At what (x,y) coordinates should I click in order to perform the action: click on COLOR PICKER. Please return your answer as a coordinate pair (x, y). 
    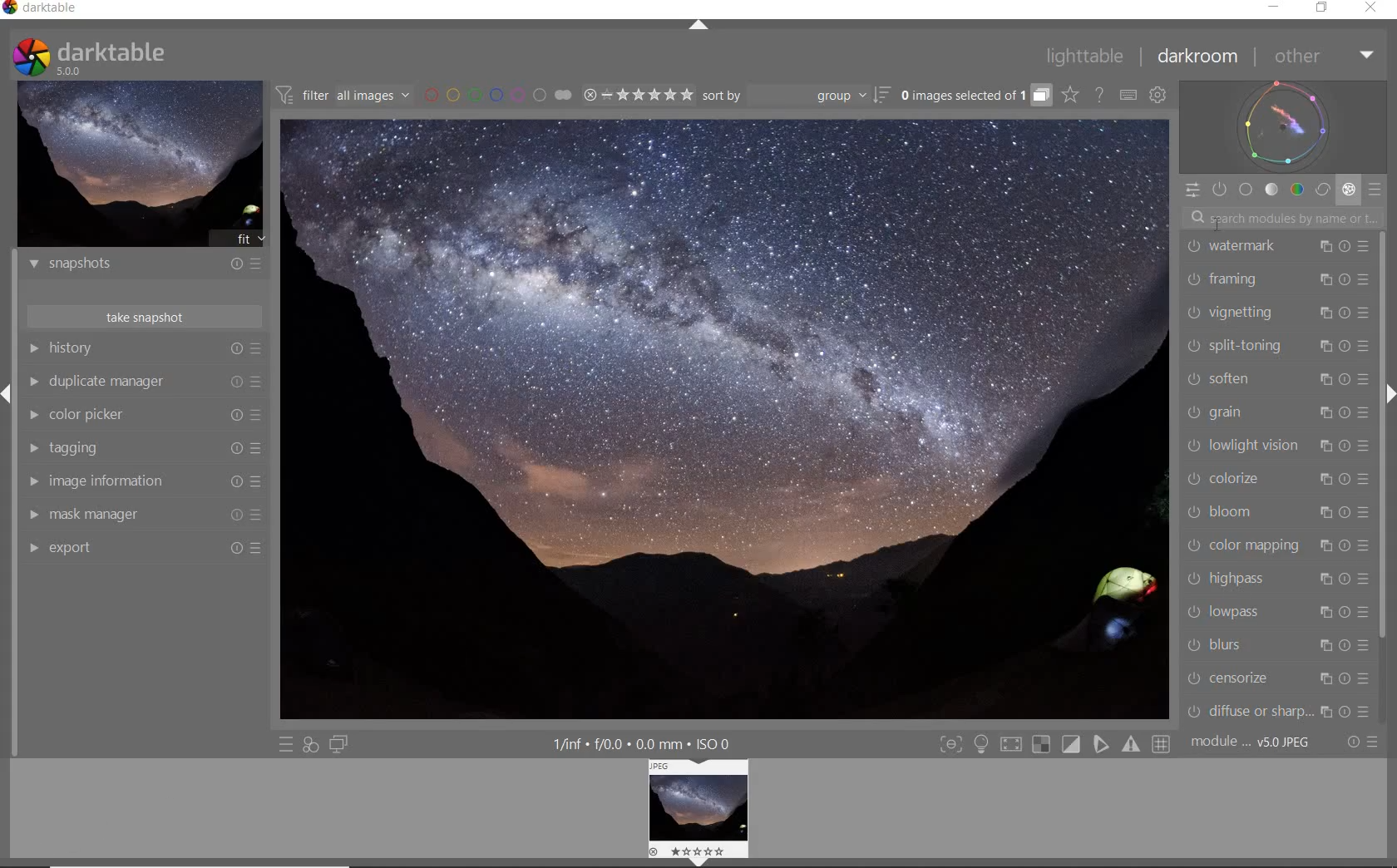
    Looking at the image, I should click on (32, 413).